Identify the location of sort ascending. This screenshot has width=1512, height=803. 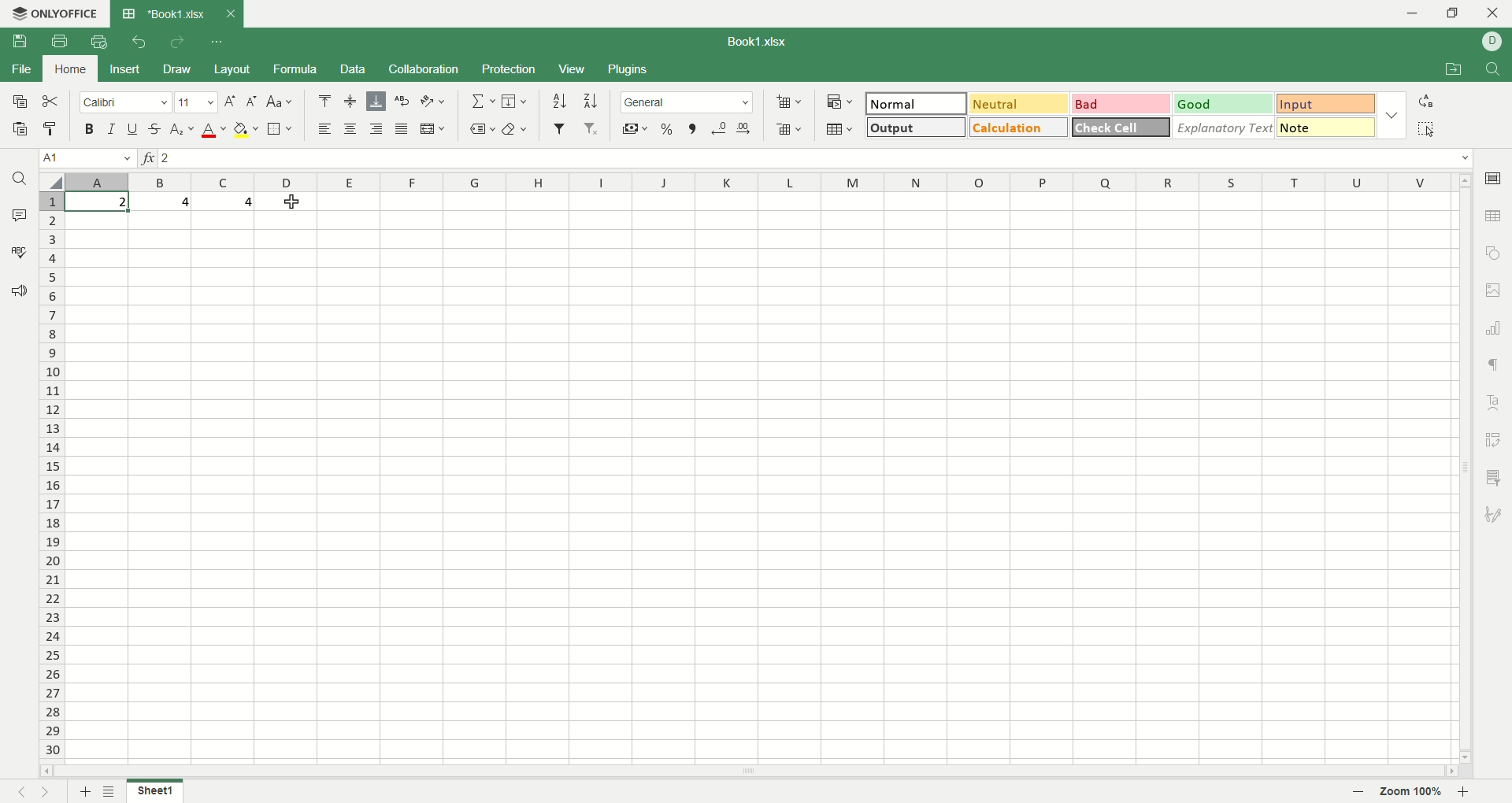
(558, 101).